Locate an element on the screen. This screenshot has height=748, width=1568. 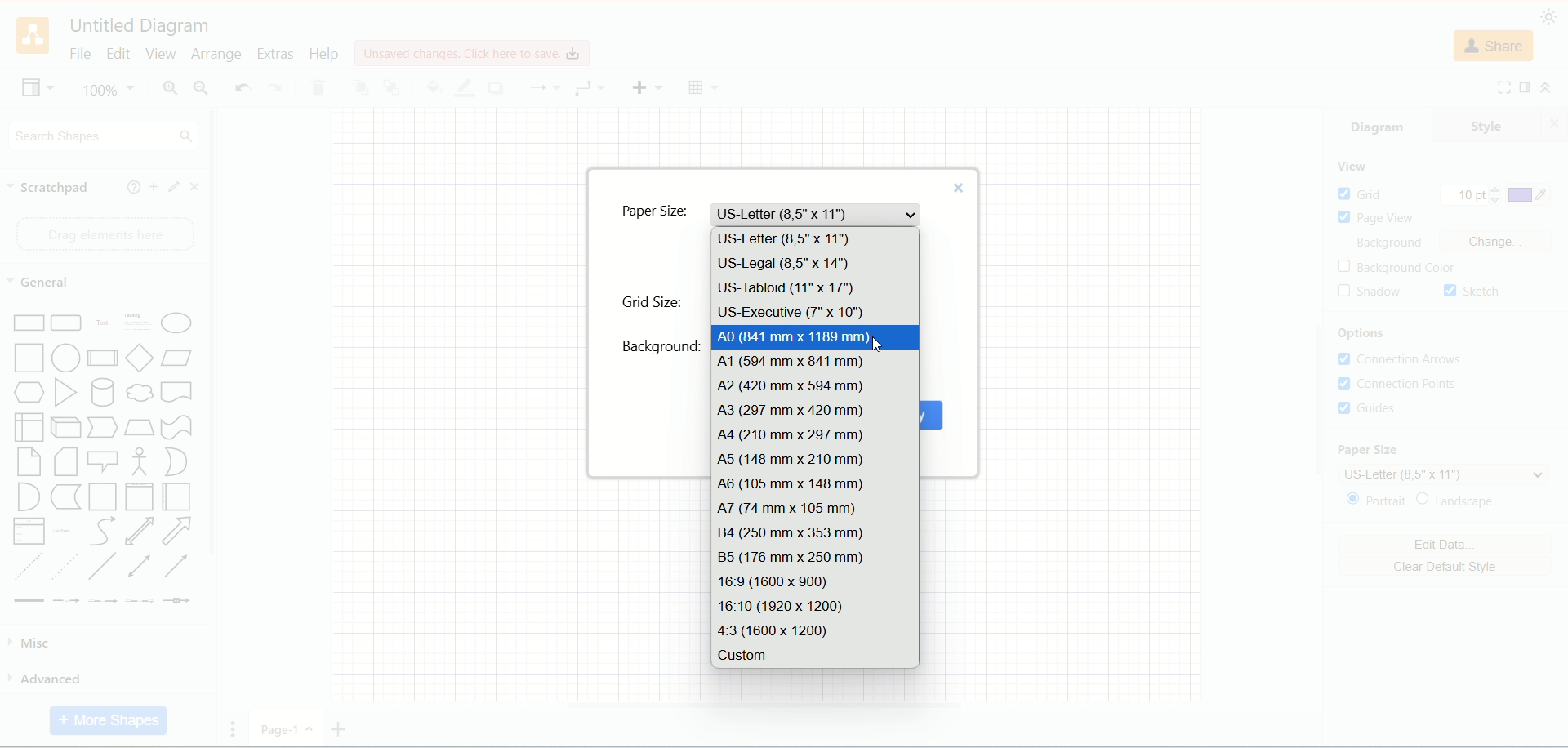
Curved Corner Rectangle is located at coordinates (67, 325).